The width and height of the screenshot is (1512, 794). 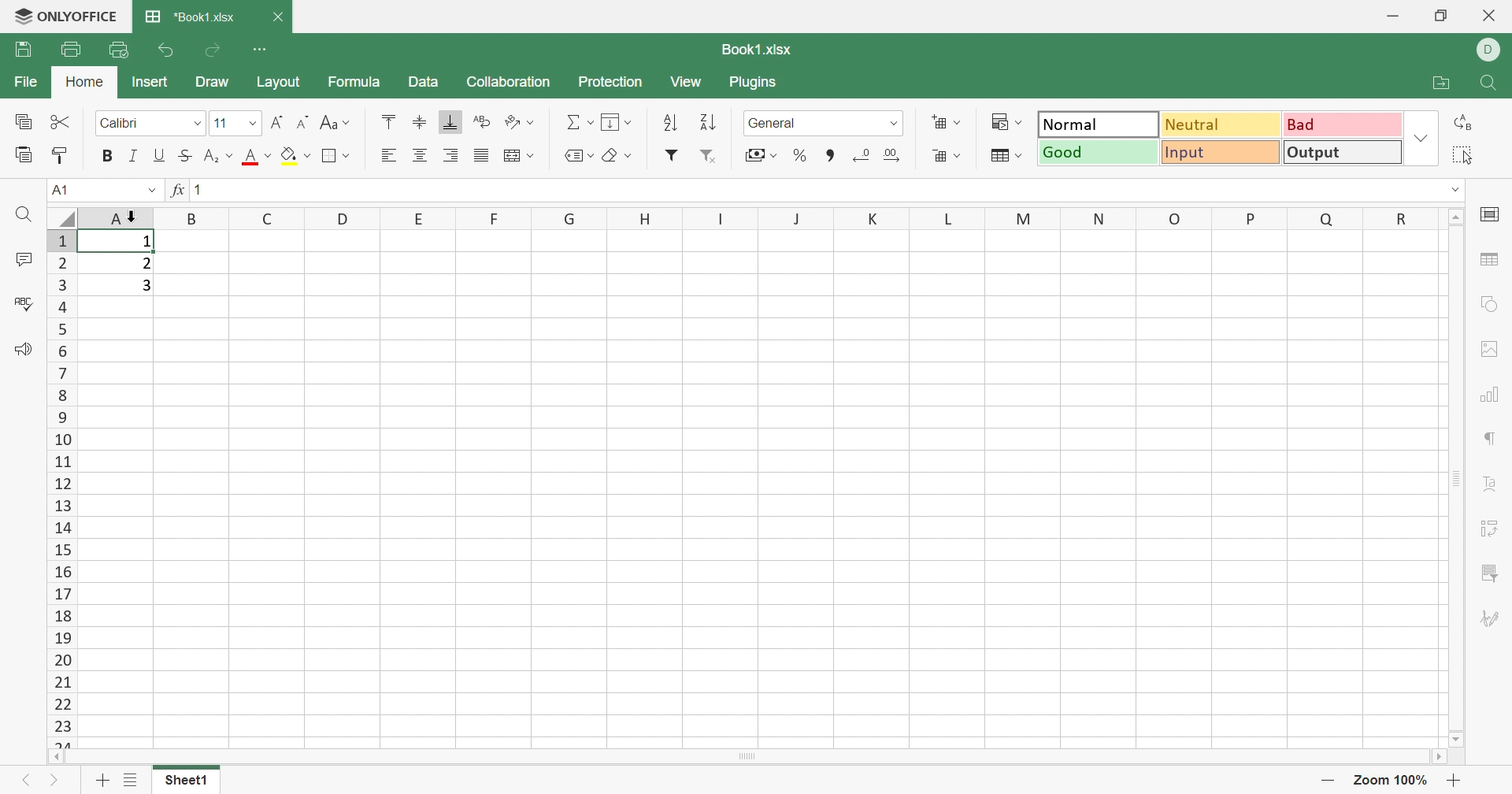 I want to click on A1, so click(x=57, y=189).